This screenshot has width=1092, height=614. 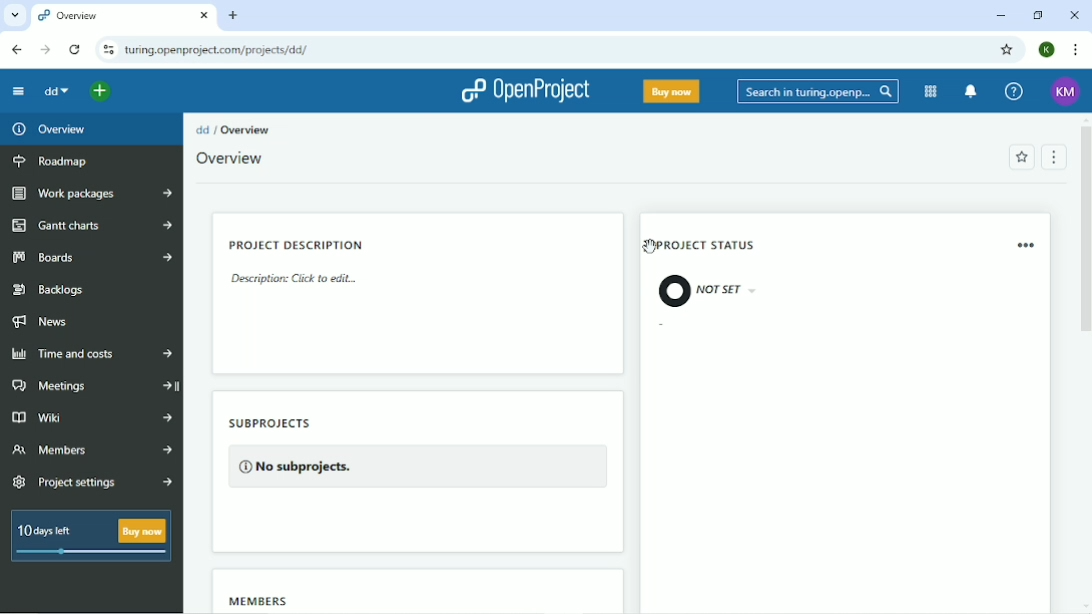 What do you see at coordinates (90, 227) in the screenshot?
I see `Gantt charts` at bounding box center [90, 227].